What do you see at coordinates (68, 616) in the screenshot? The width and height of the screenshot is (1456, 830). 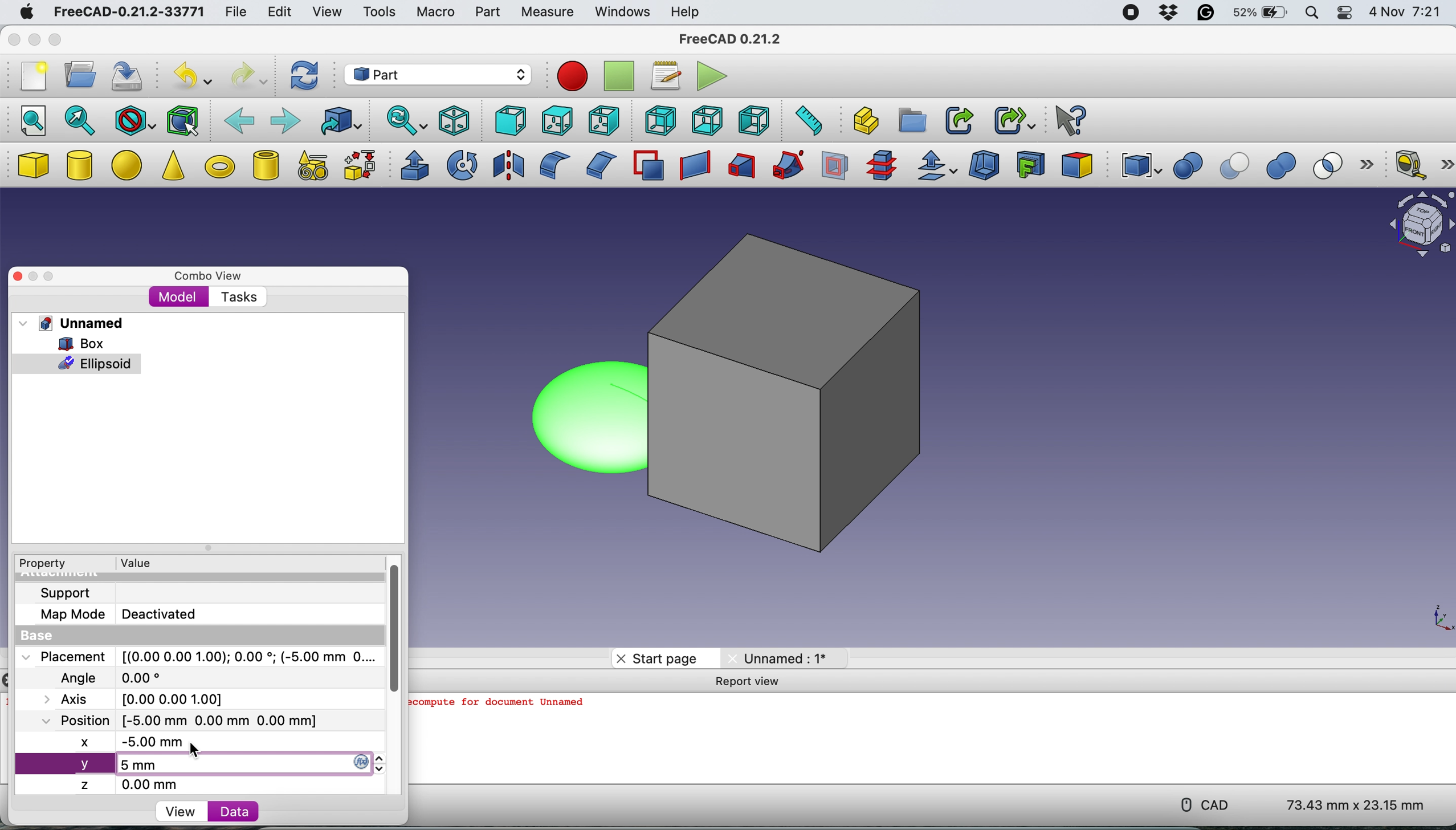 I see `map mode` at bounding box center [68, 616].